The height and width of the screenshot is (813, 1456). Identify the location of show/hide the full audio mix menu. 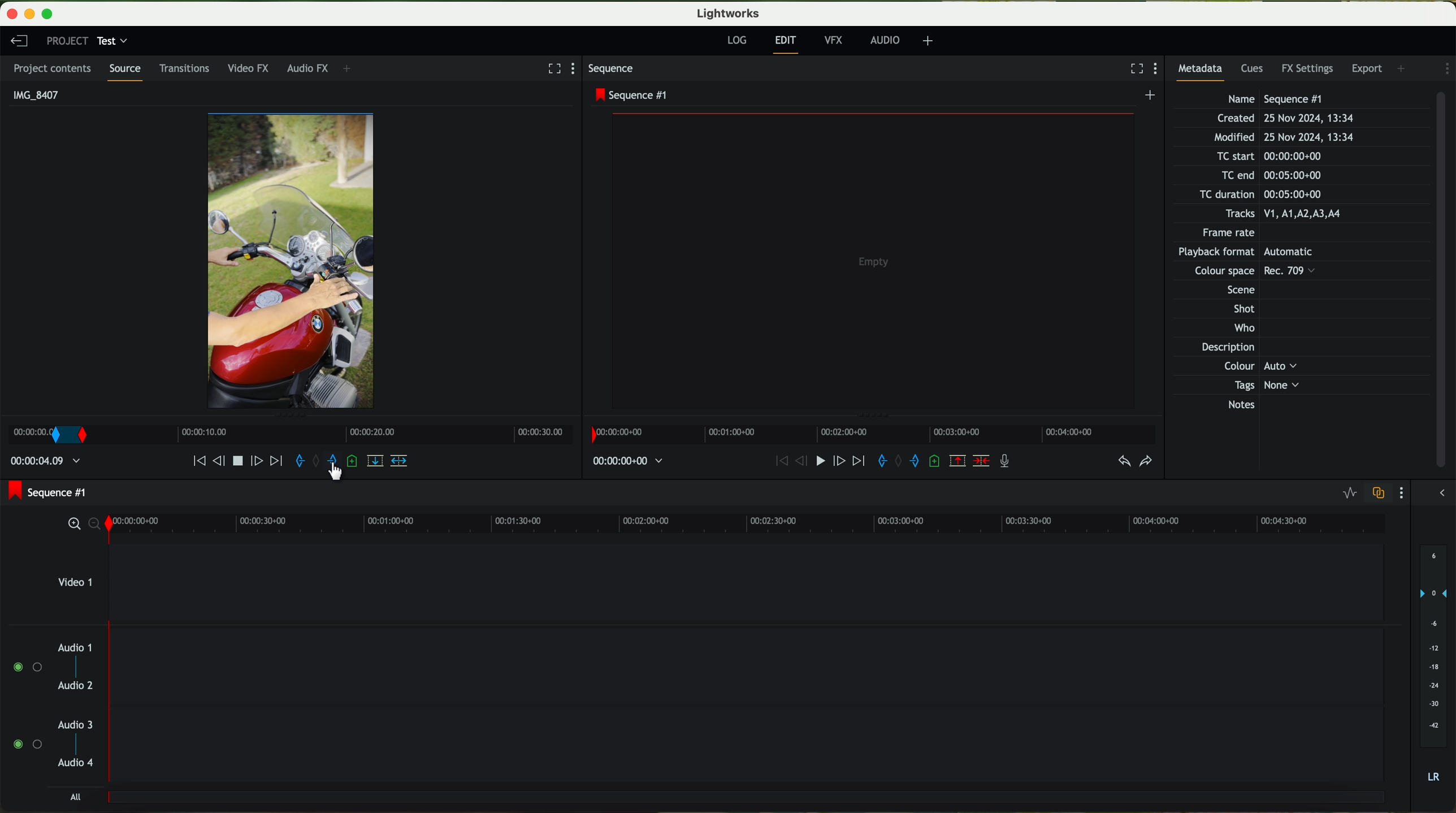
(1442, 491).